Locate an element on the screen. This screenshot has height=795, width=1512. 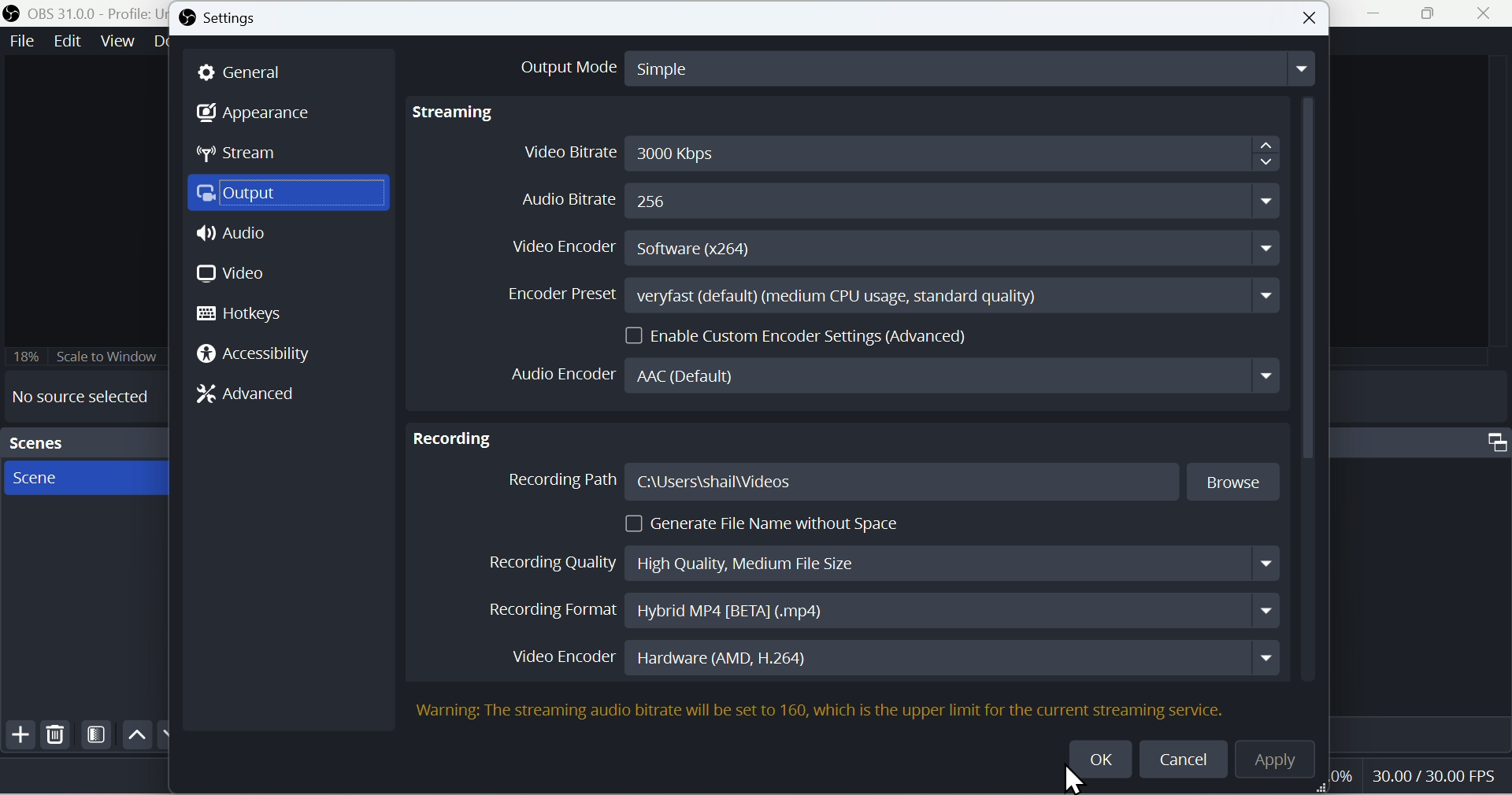
warning is located at coordinates (443, 712).